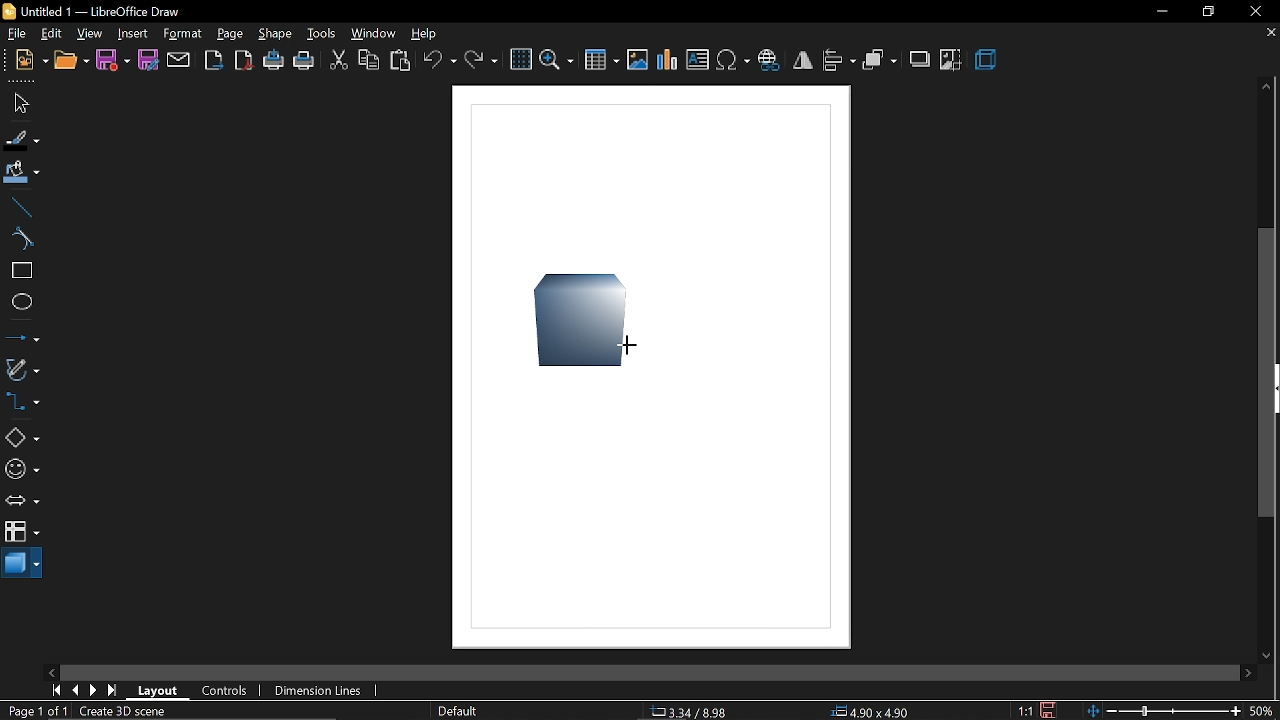 Image resolution: width=1280 pixels, height=720 pixels. Describe the element at coordinates (698, 60) in the screenshot. I see `insert text` at that location.